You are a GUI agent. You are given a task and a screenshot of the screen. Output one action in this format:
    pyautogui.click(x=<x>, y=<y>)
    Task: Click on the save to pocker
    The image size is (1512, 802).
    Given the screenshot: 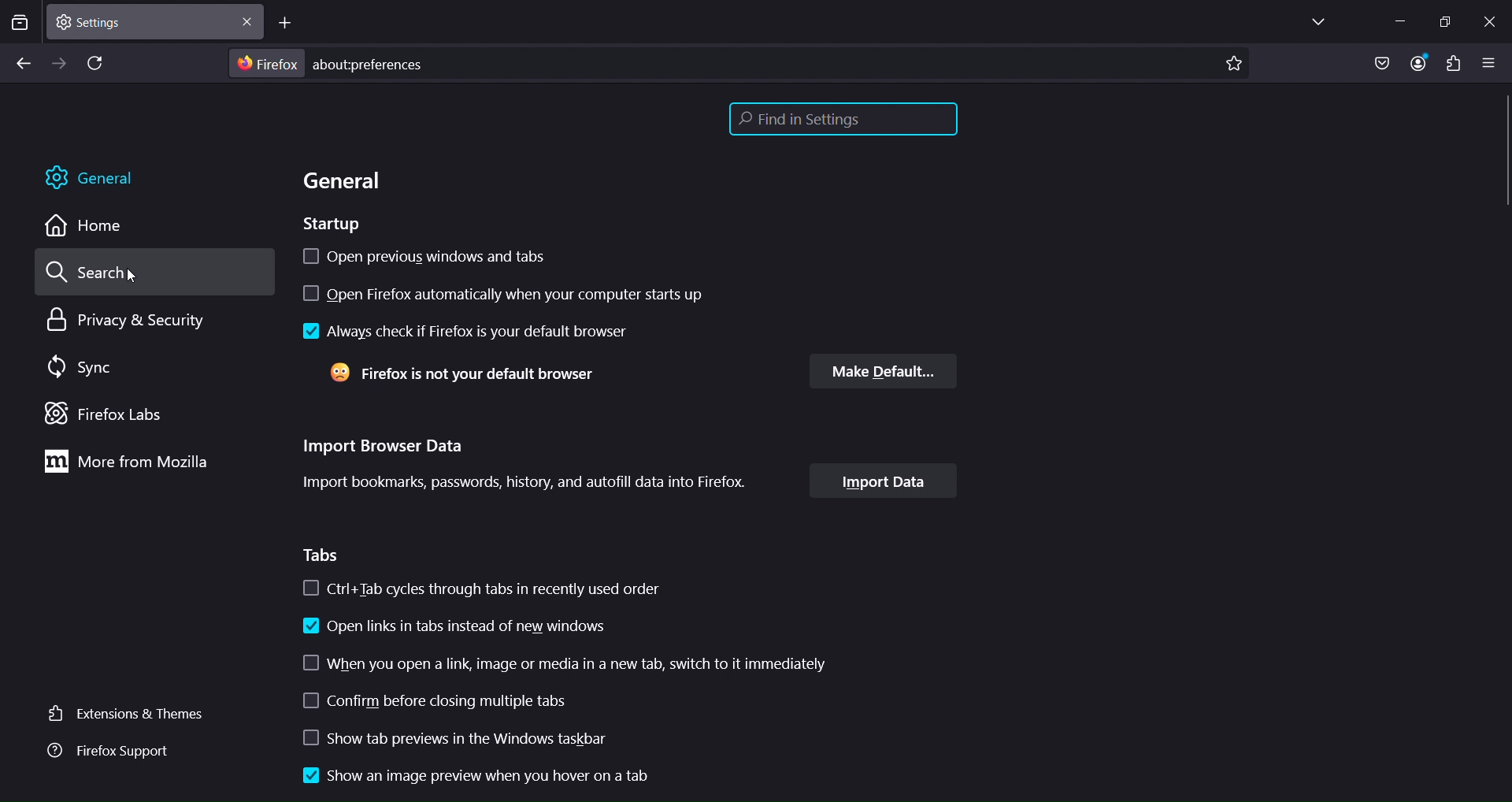 What is the action you would take?
    pyautogui.click(x=1381, y=64)
    